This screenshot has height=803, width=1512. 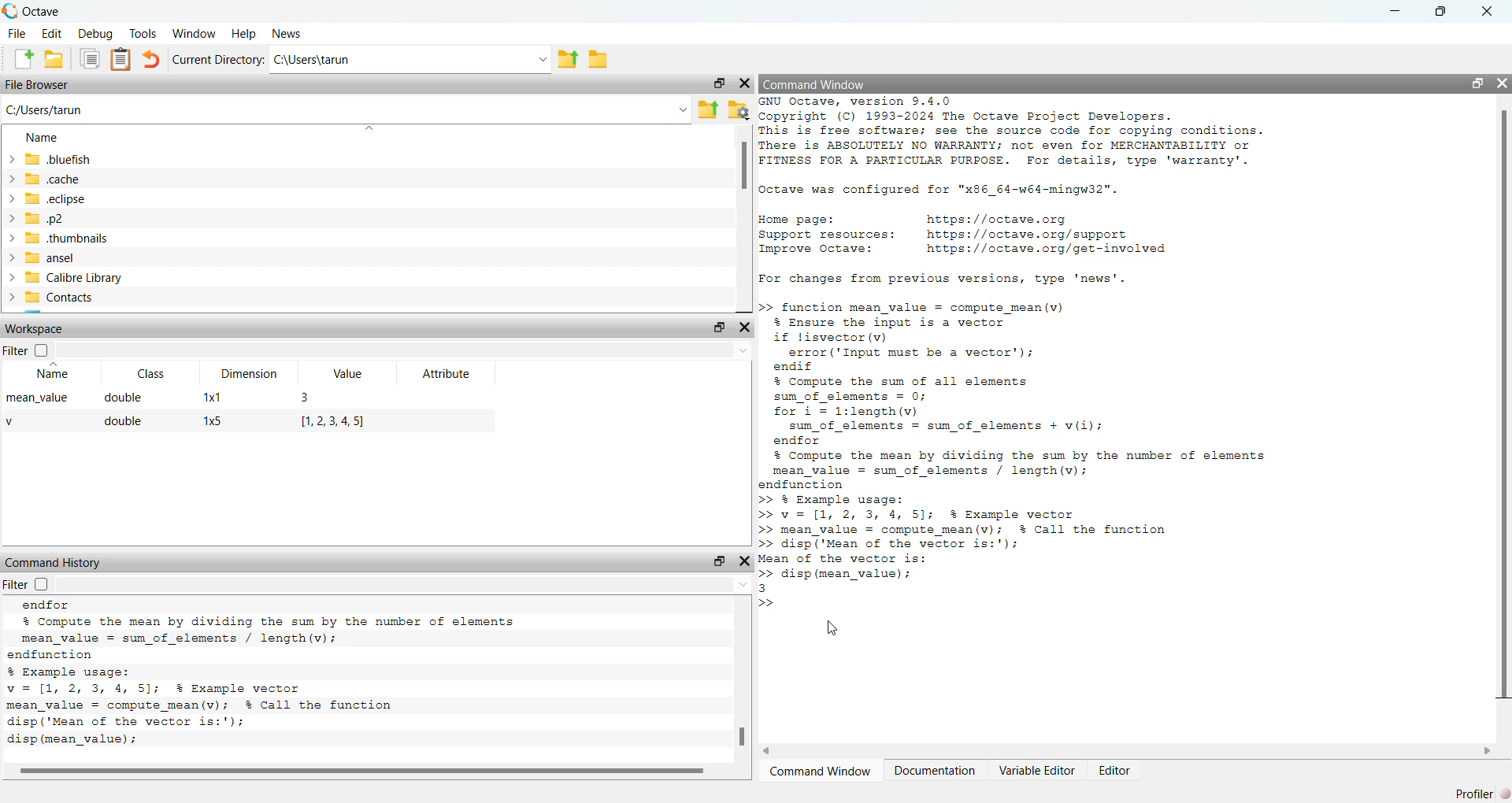 I want to click on Drop-down , so click(x=542, y=60).